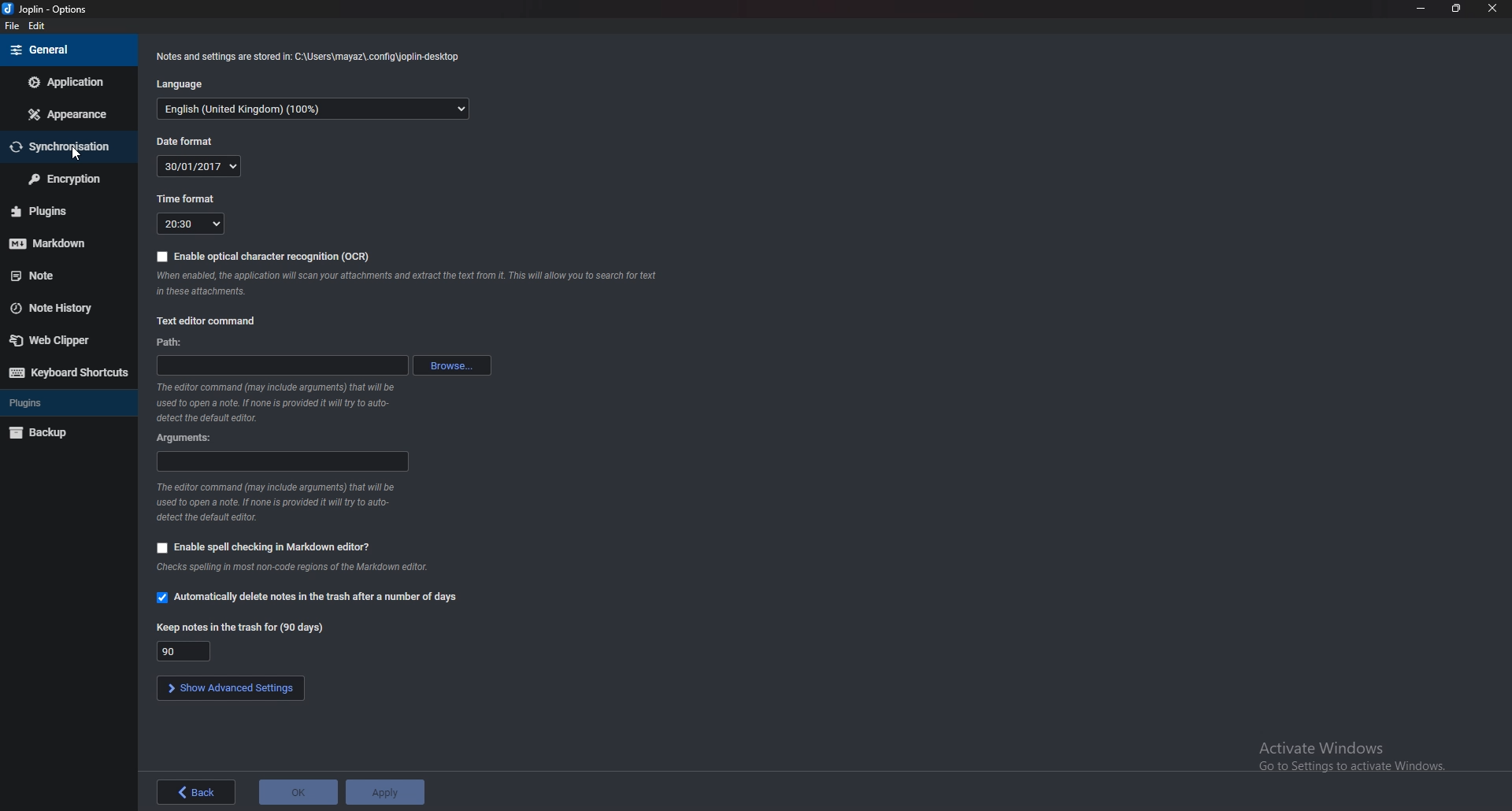  Describe the element at coordinates (192, 224) in the screenshot. I see `time format` at that location.